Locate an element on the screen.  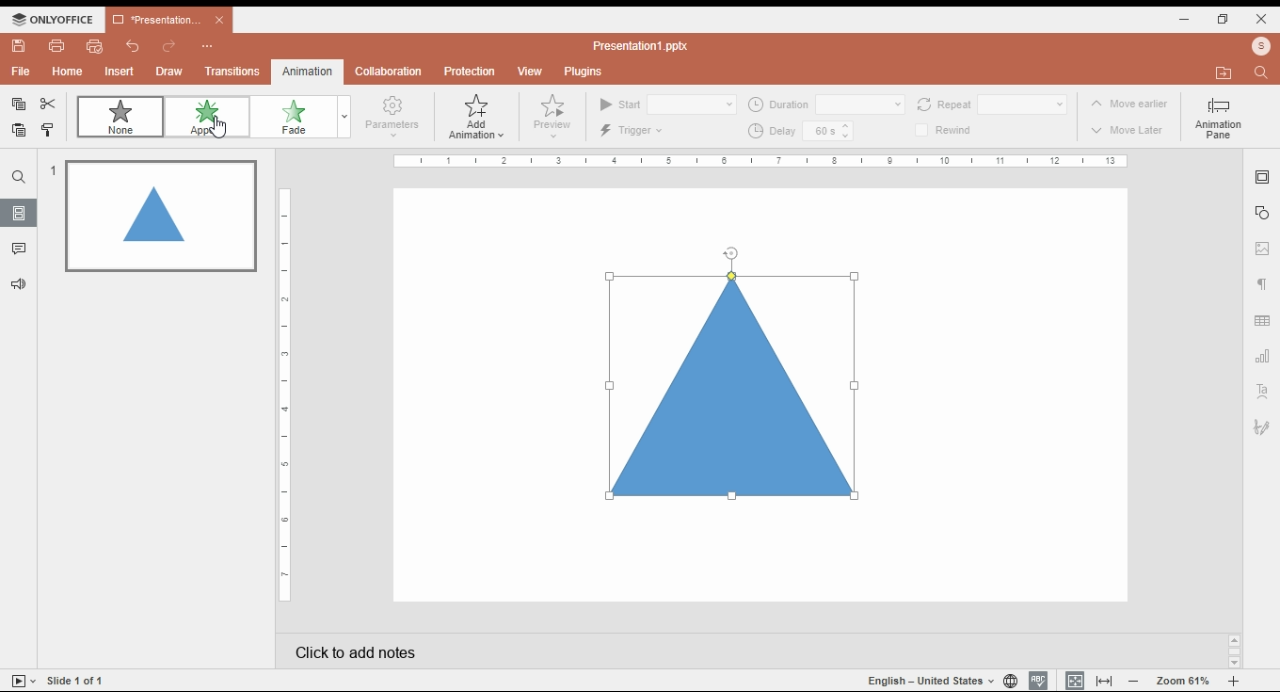
plugins is located at coordinates (582, 72).